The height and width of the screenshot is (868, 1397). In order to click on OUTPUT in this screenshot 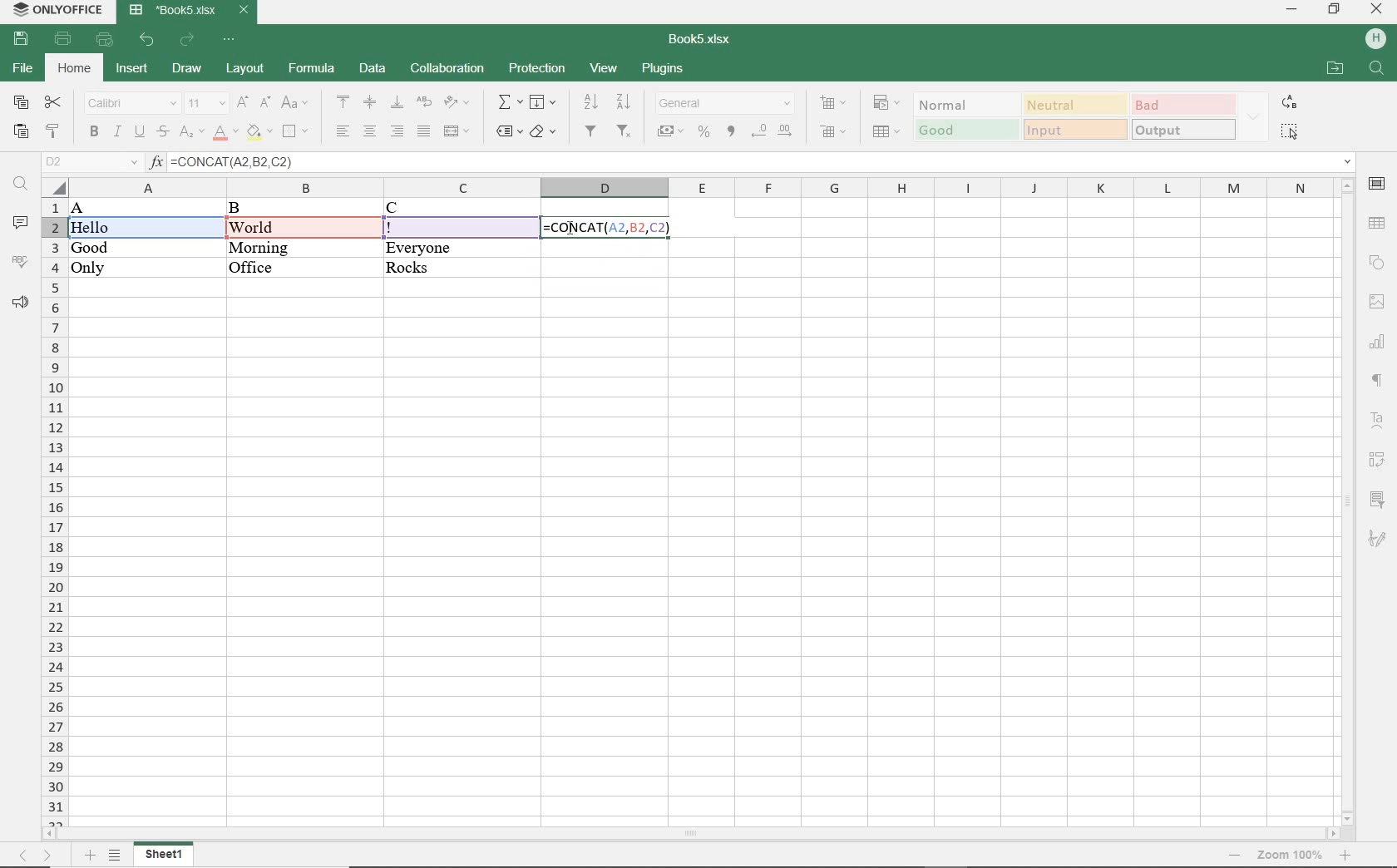, I will do `click(1183, 128)`.